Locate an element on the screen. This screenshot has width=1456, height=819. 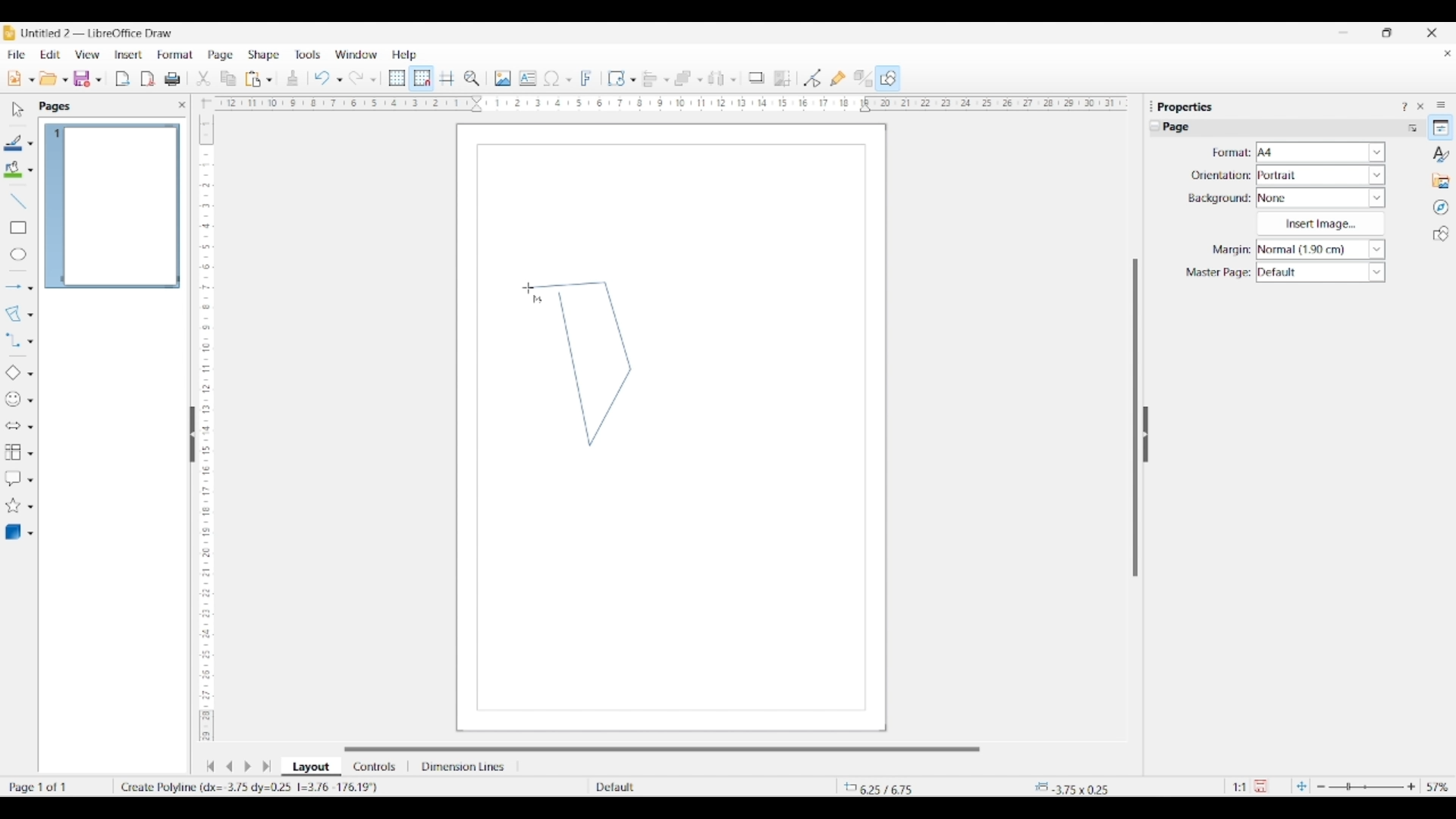
Selected fill color is located at coordinates (13, 169).